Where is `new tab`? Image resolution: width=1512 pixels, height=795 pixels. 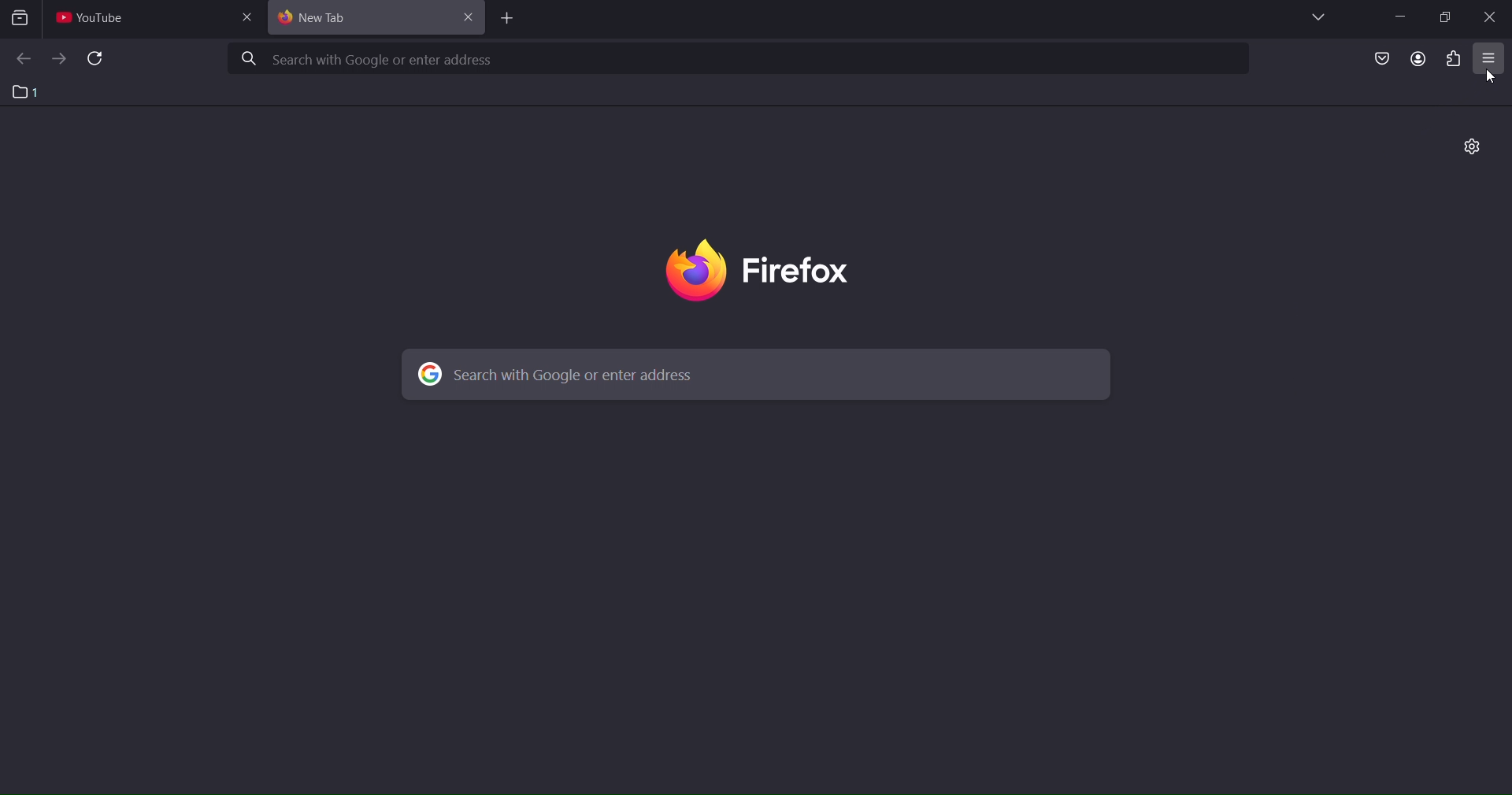
new tab is located at coordinates (503, 20).